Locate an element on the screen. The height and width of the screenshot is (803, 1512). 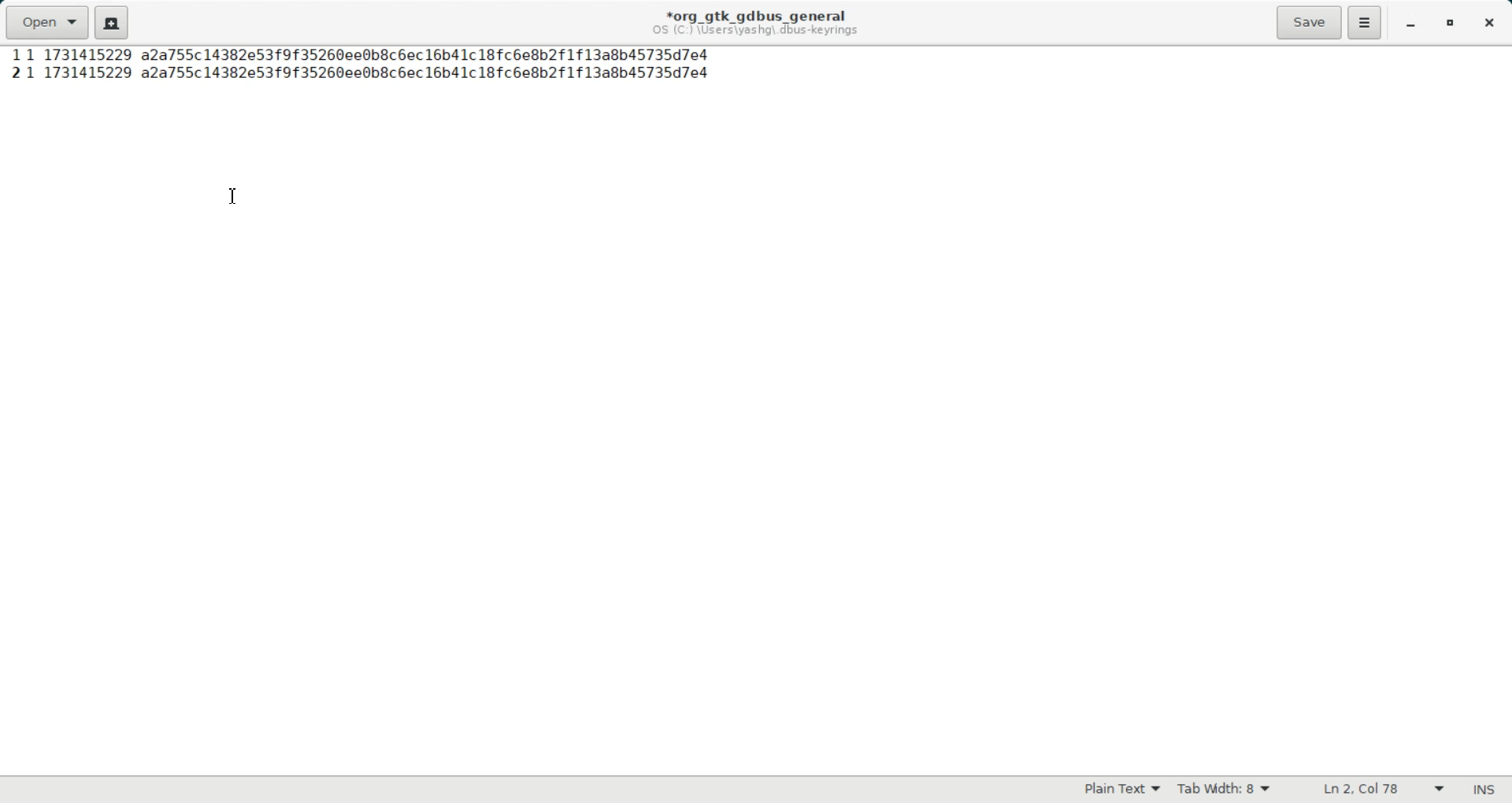
Maximize is located at coordinates (1452, 24).